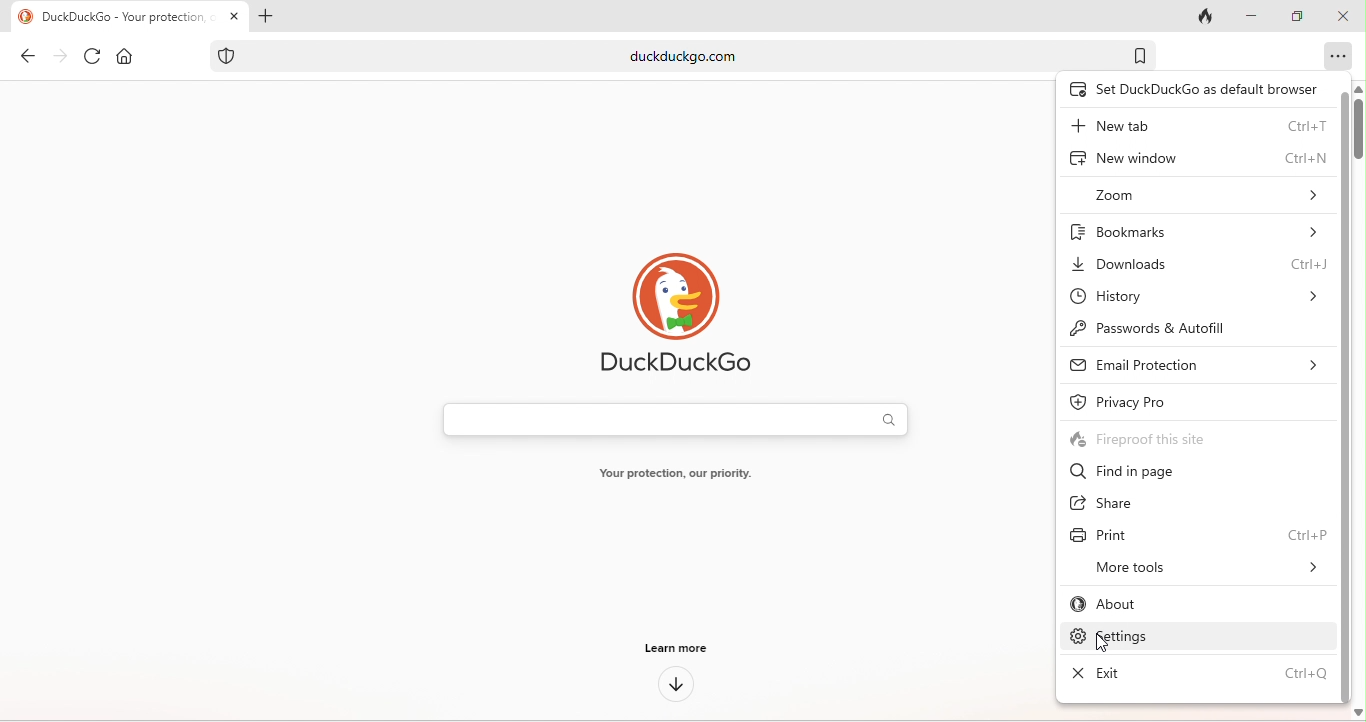  I want to click on close tab and clear data, so click(1202, 15).